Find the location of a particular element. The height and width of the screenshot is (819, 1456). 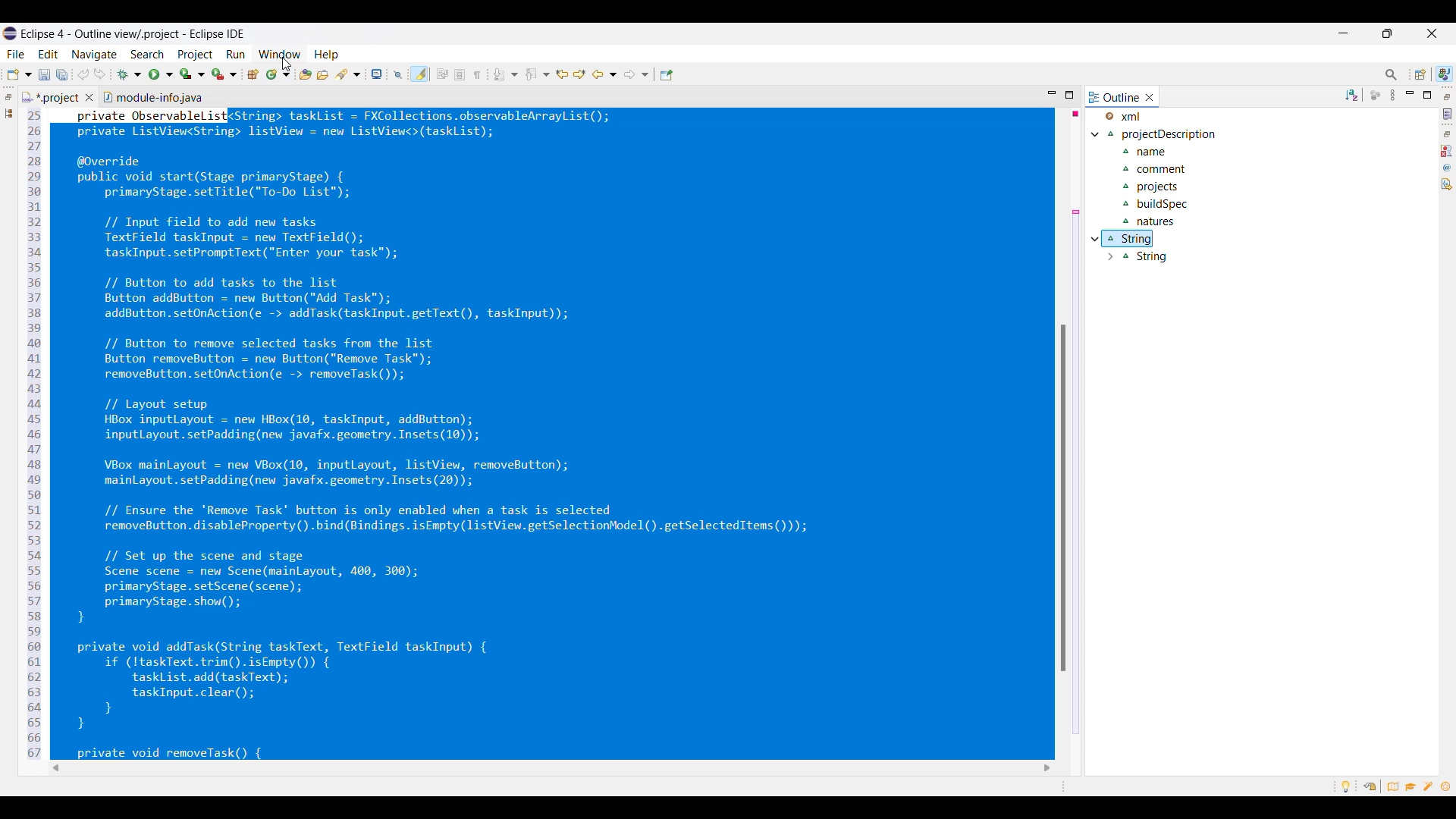

Package explorer workspace is located at coordinates (9, 113).